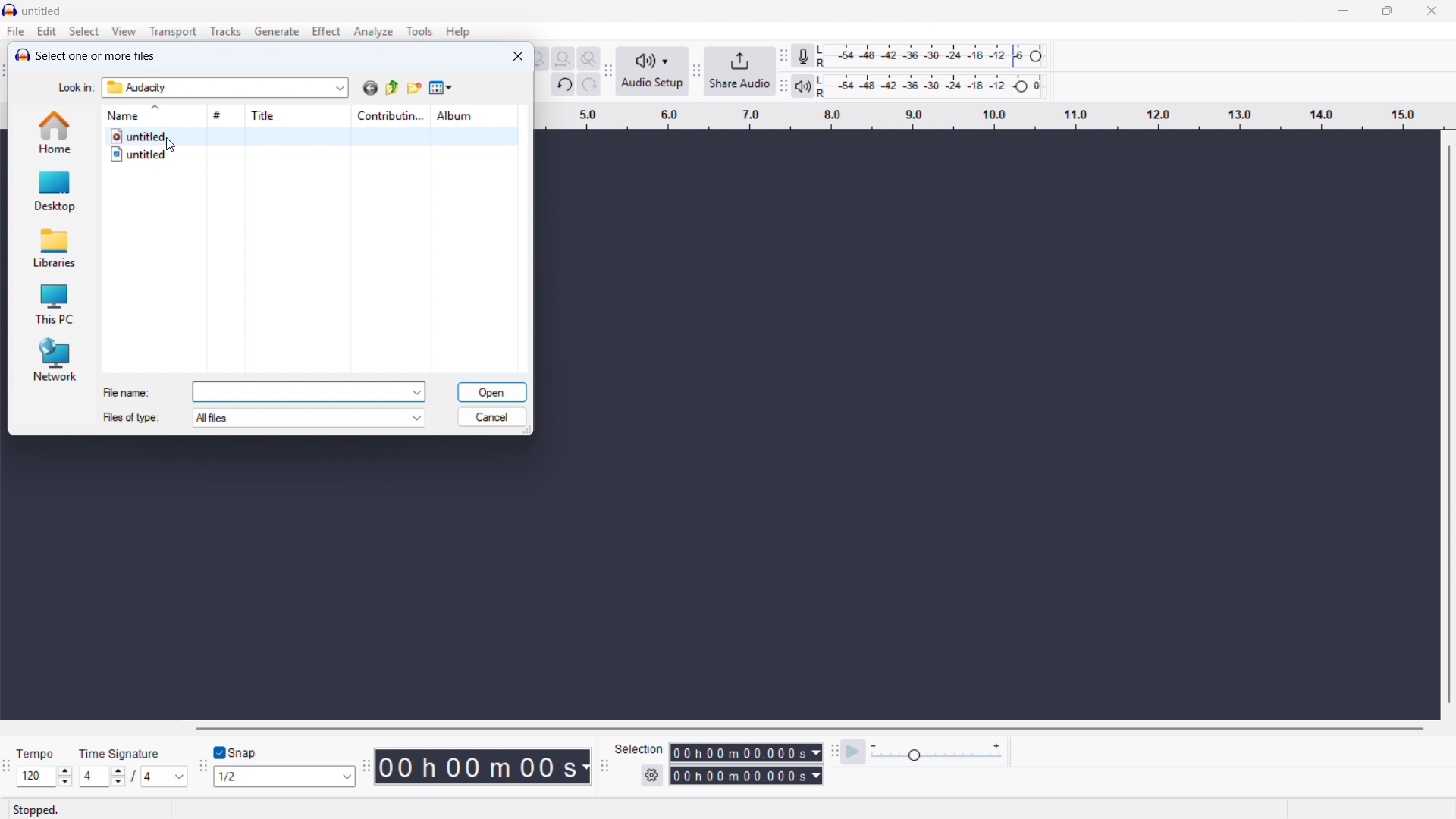  What do you see at coordinates (457, 32) in the screenshot?
I see `help ` at bounding box center [457, 32].